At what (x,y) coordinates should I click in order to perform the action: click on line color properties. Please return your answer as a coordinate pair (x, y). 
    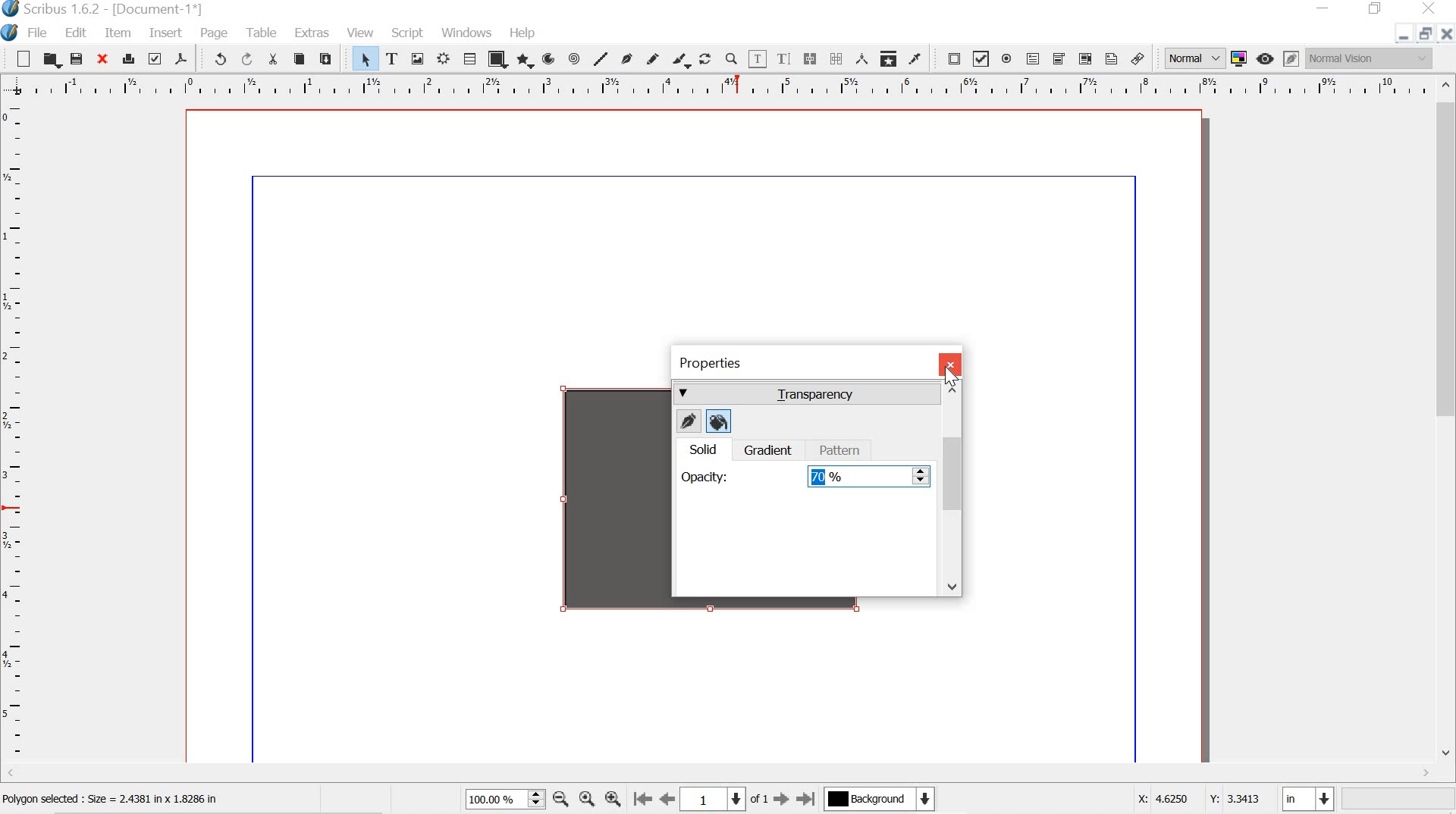
    Looking at the image, I should click on (689, 422).